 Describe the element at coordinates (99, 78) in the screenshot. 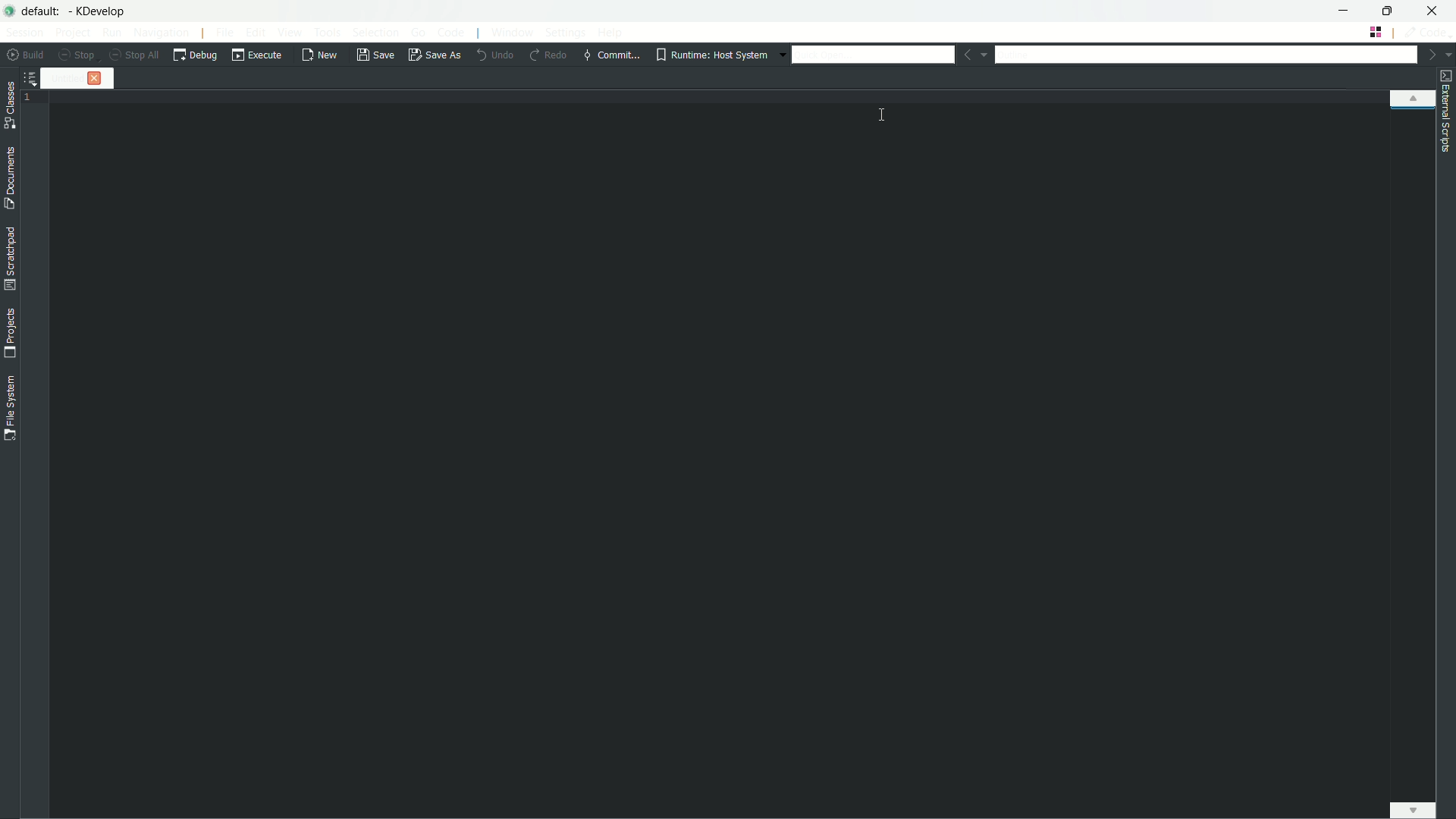

I see `Close` at that location.